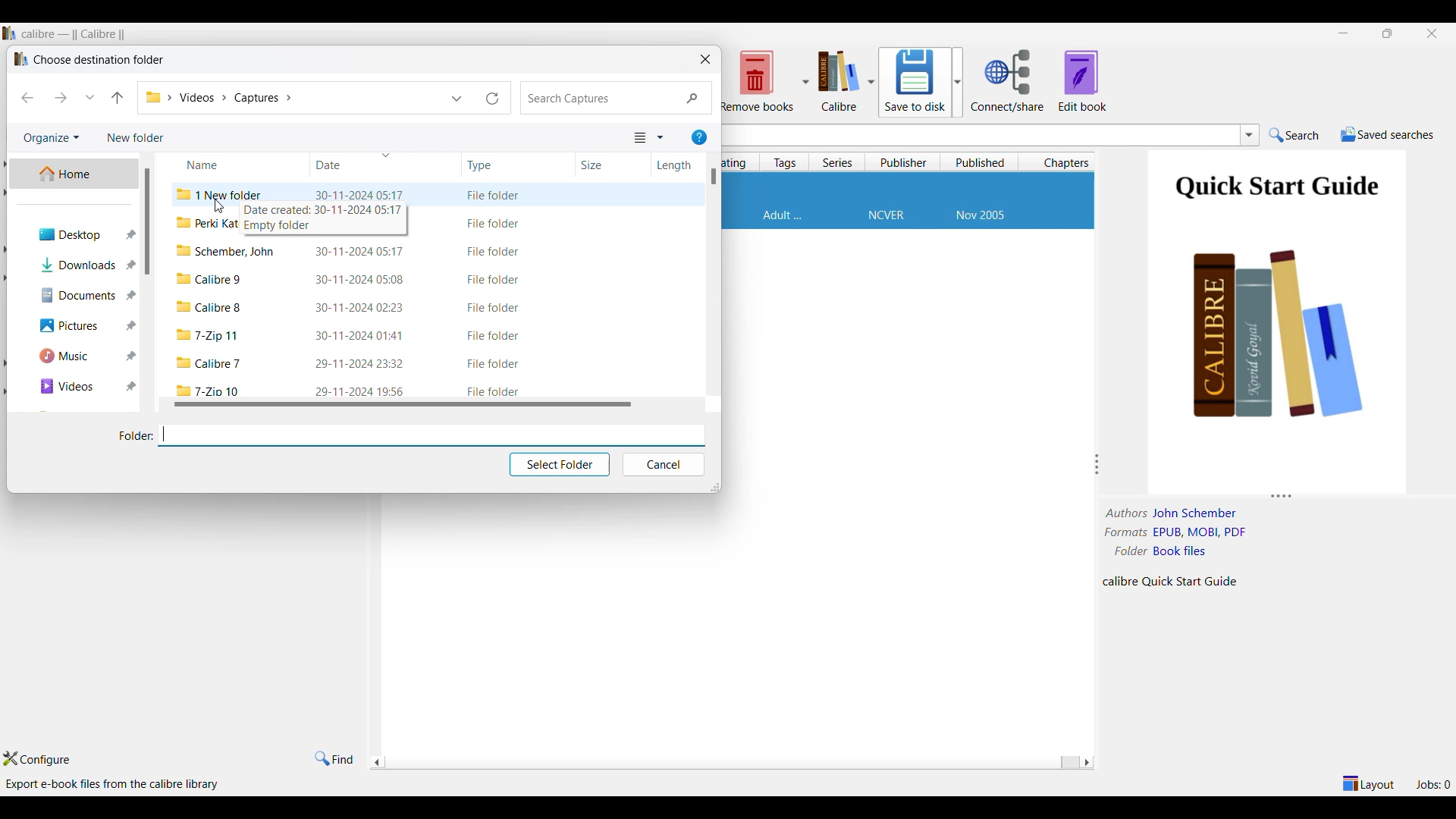 This screenshot has width=1456, height=819. What do you see at coordinates (9, 33) in the screenshot?
I see `Software logo` at bounding box center [9, 33].